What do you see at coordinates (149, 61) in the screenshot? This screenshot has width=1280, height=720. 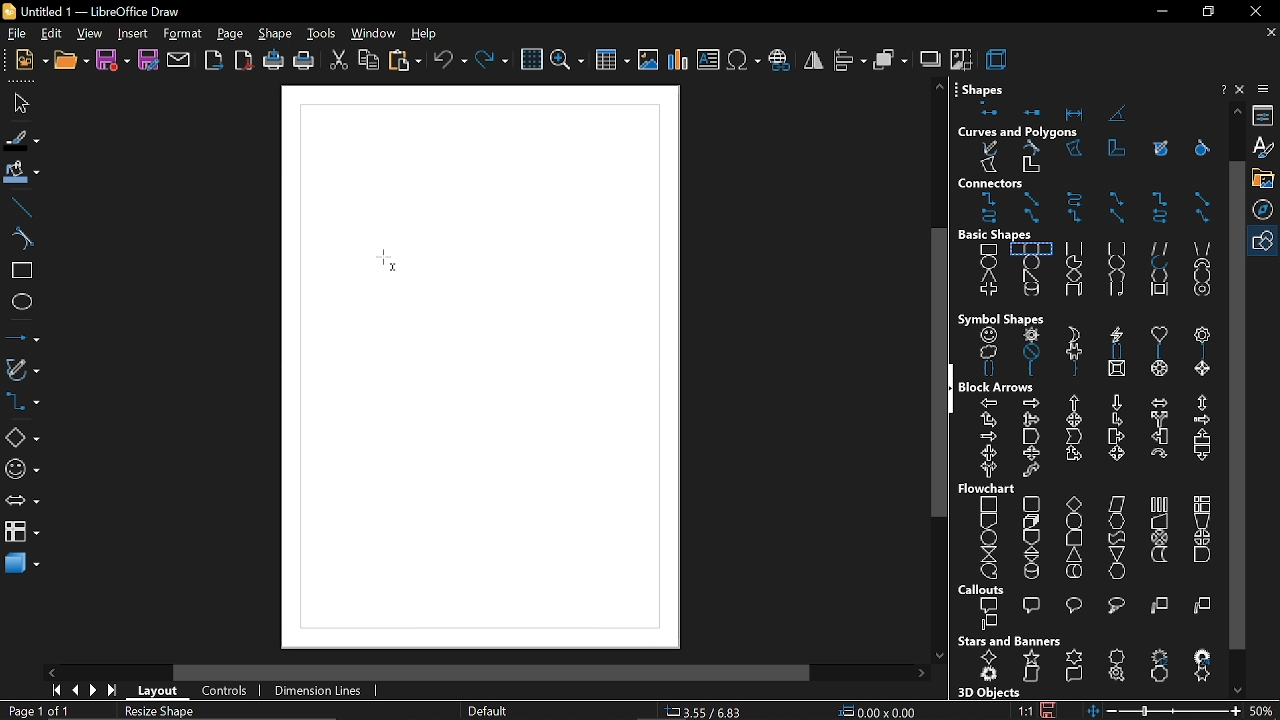 I see `save as` at bounding box center [149, 61].